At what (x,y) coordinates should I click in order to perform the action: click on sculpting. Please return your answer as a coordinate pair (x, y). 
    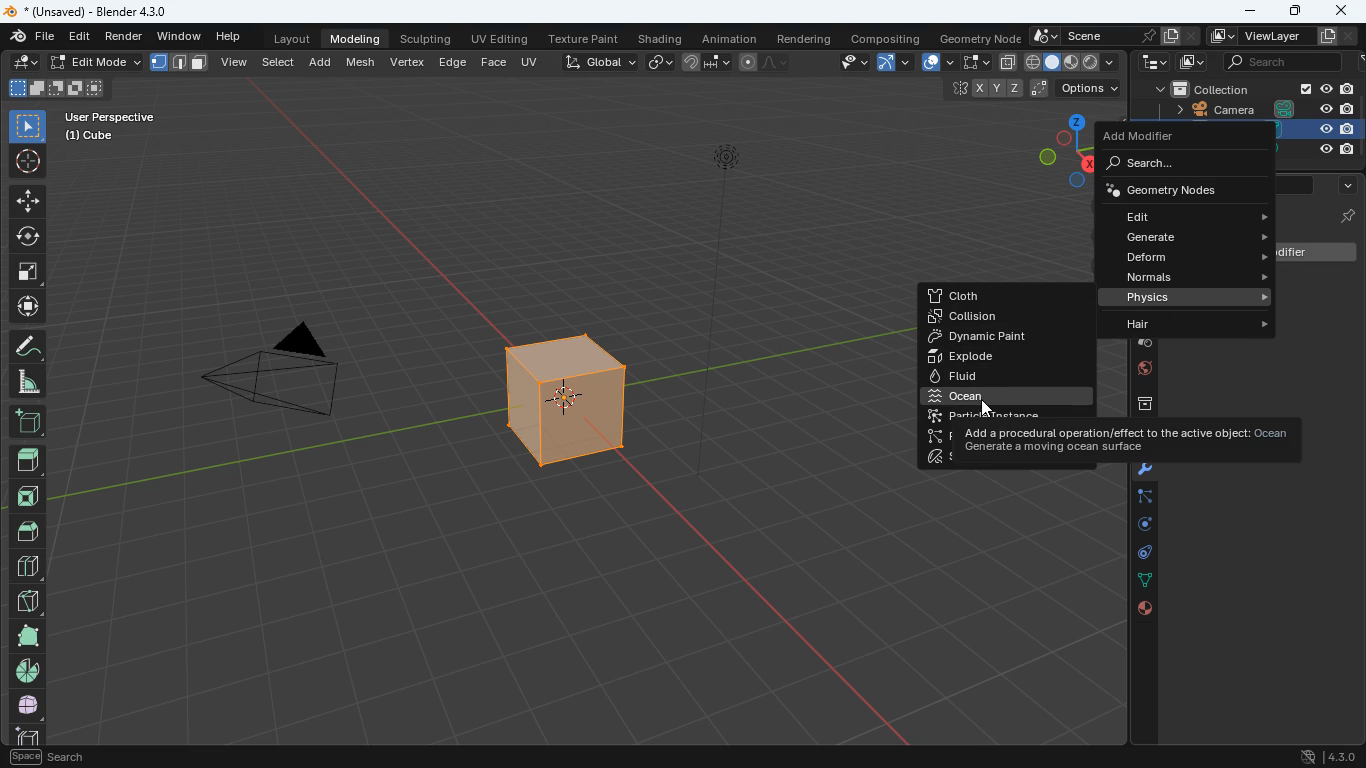
    Looking at the image, I should click on (428, 36).